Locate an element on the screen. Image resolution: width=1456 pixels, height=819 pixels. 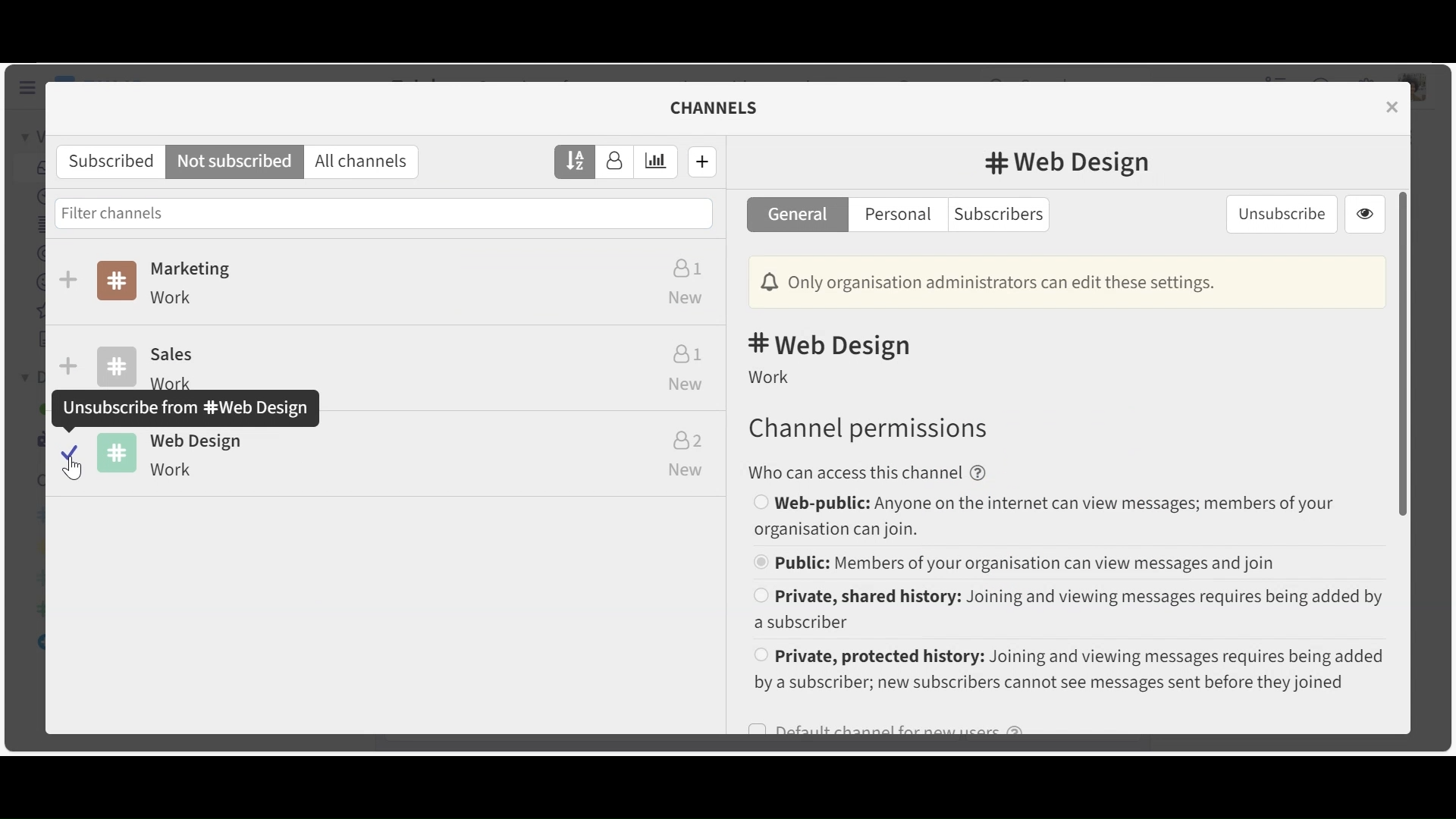
#Channel is located at coordinates (1068, 162).